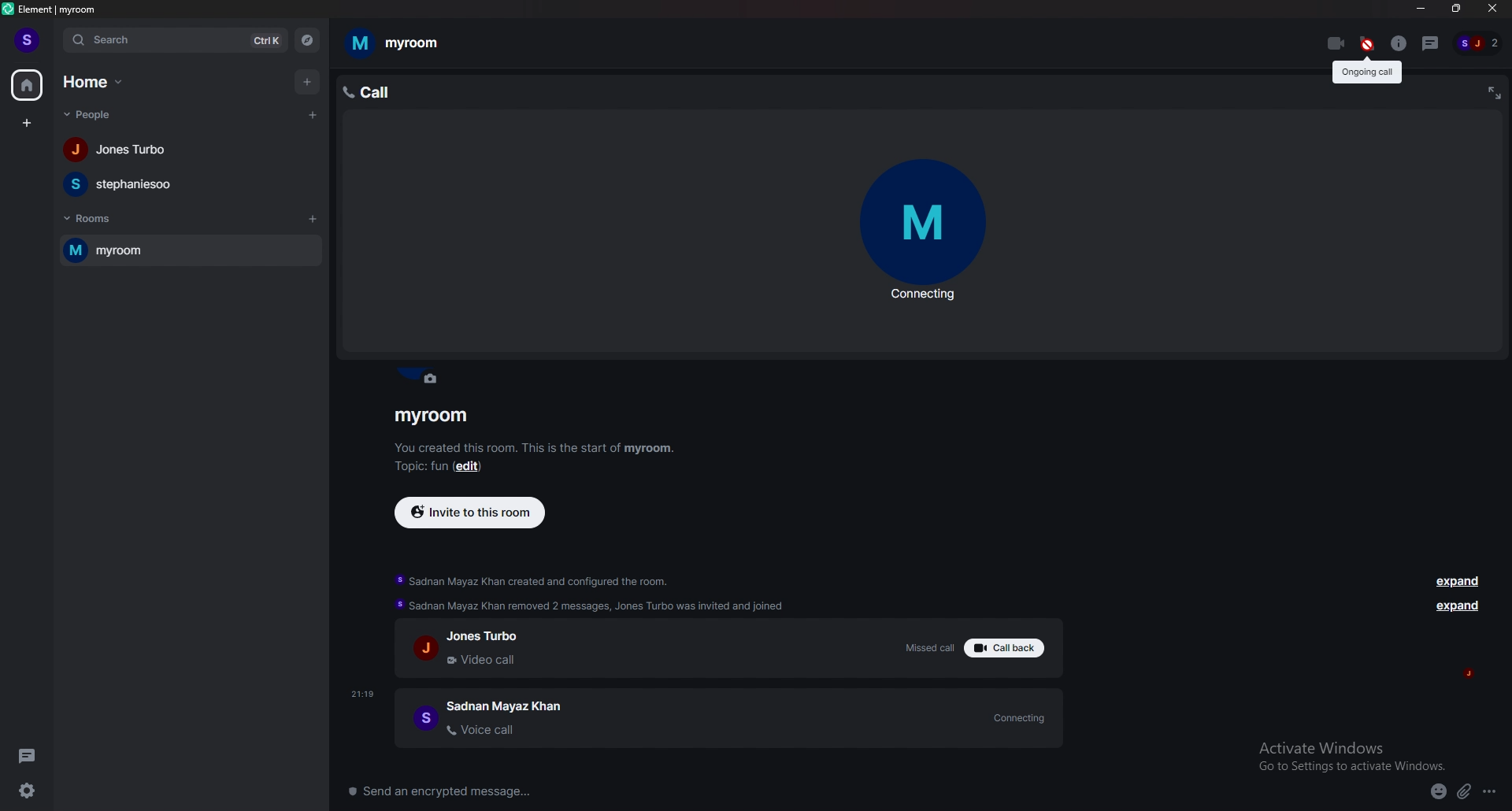 This screenshot has width=1512, height=811. What do you see at coordinates (1461, 609) in the screenshot?
I see `expand` at bounding box center [1461, 609].